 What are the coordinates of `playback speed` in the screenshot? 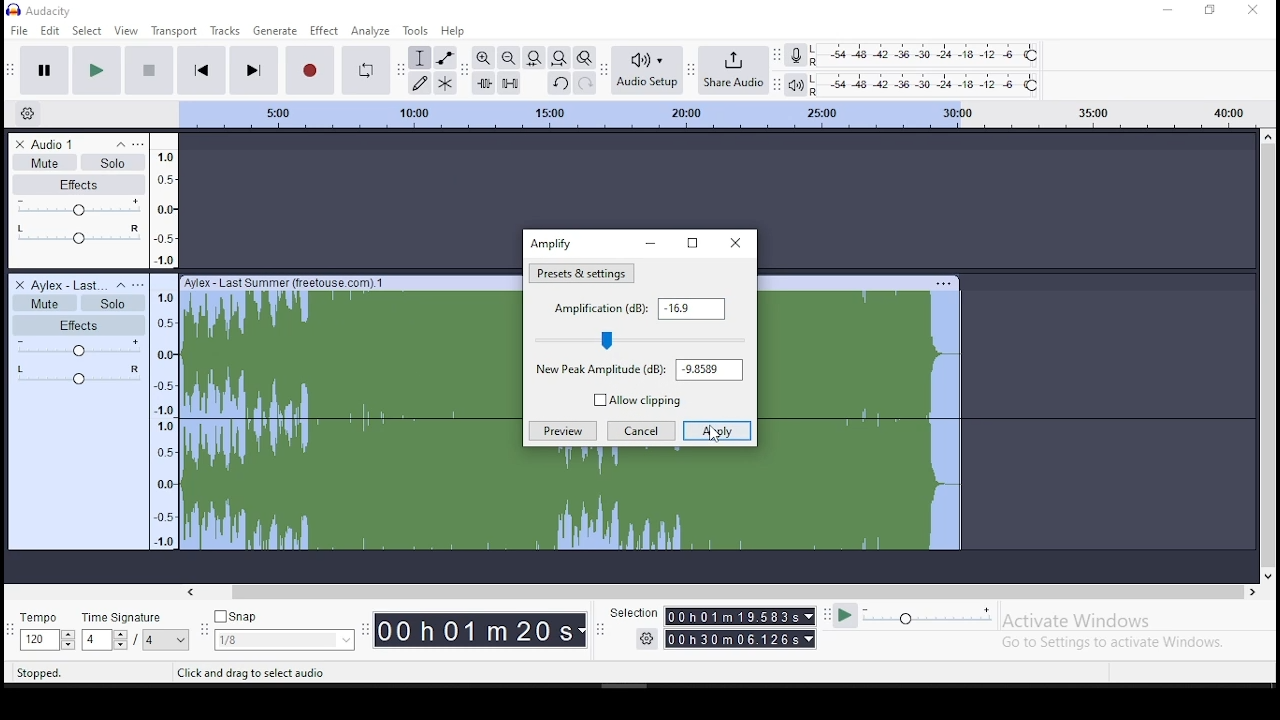 It's located at (920, 617).